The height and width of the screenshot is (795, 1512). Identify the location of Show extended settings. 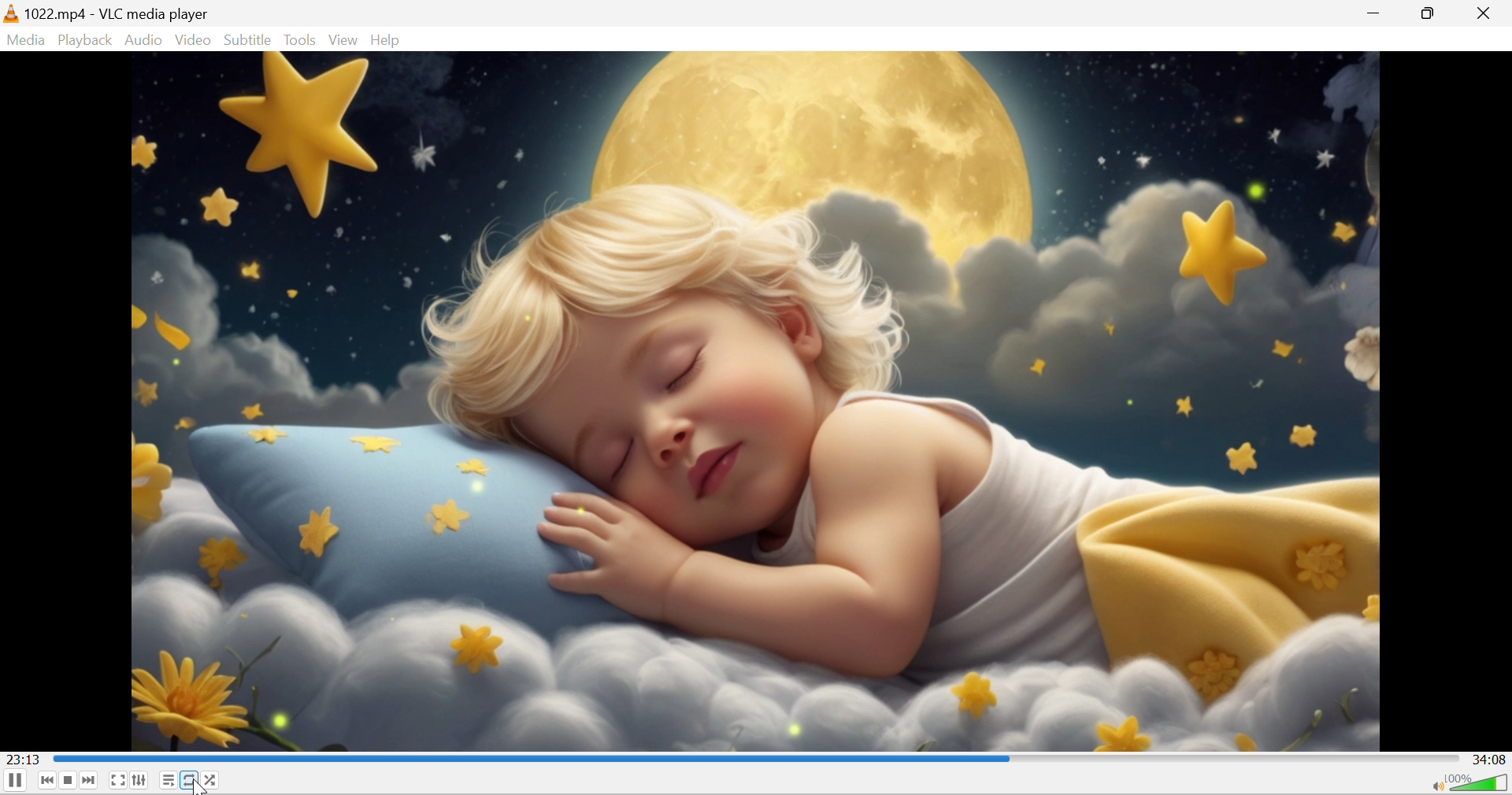
(142, 780).